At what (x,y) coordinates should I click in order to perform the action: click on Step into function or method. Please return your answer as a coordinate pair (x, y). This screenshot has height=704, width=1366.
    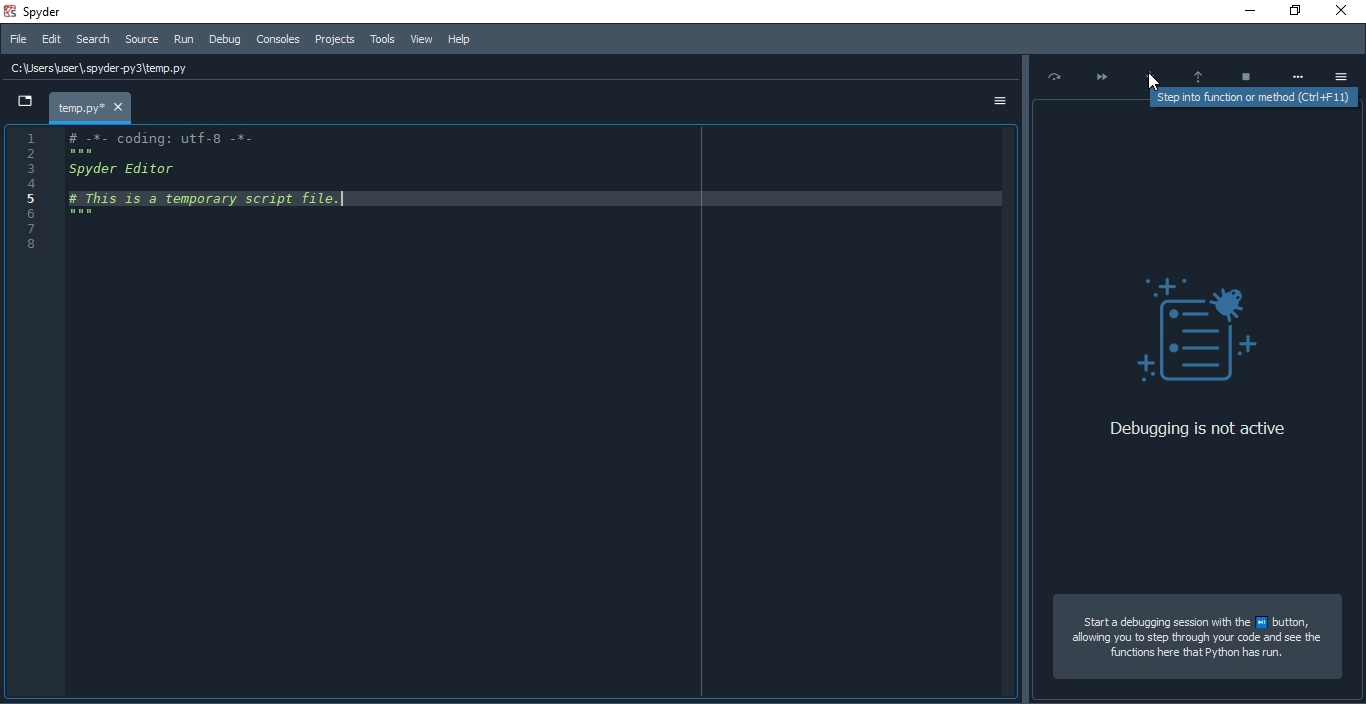
    Looking at the image, I should click on (1152, 72).